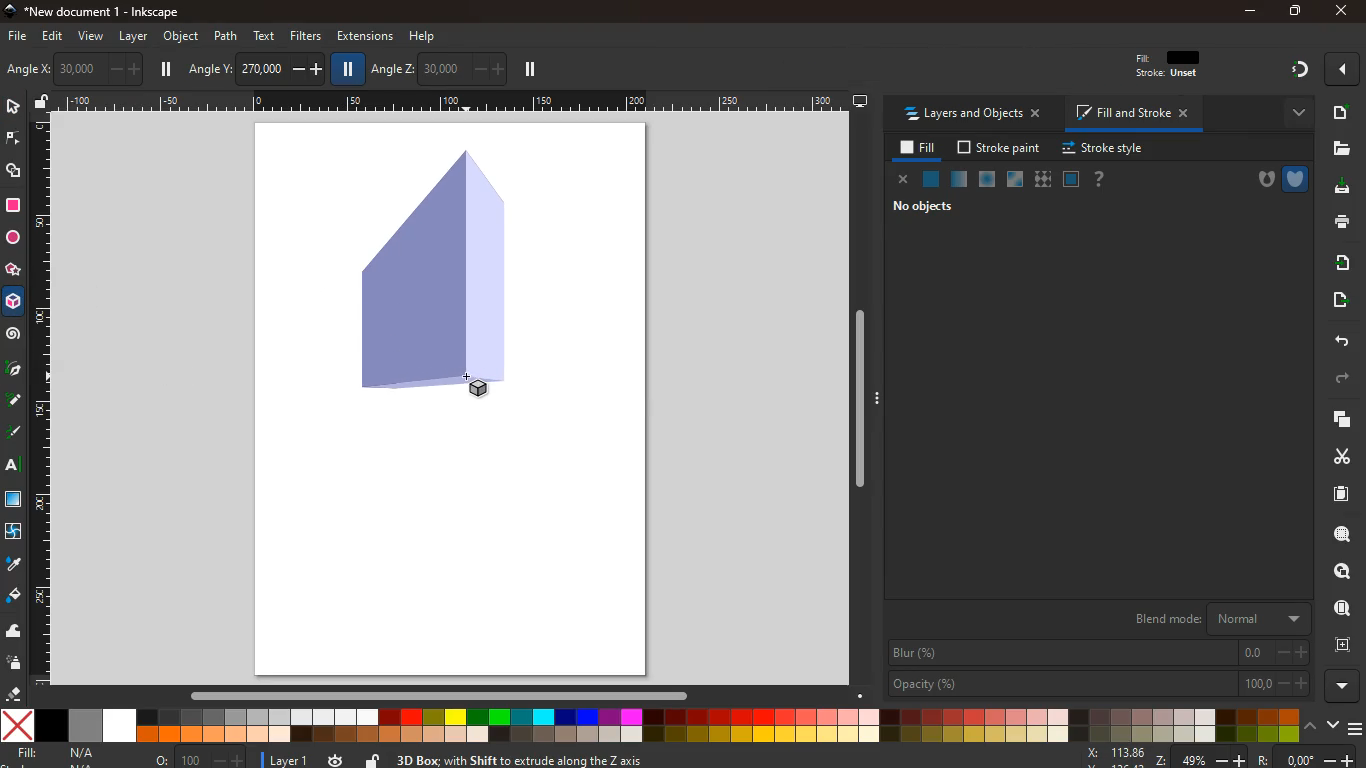 The width and height of the screenshot is (1366, 768). Describe the element at coordinates (529, 70) in the screenshot. I see `pause` at that location.